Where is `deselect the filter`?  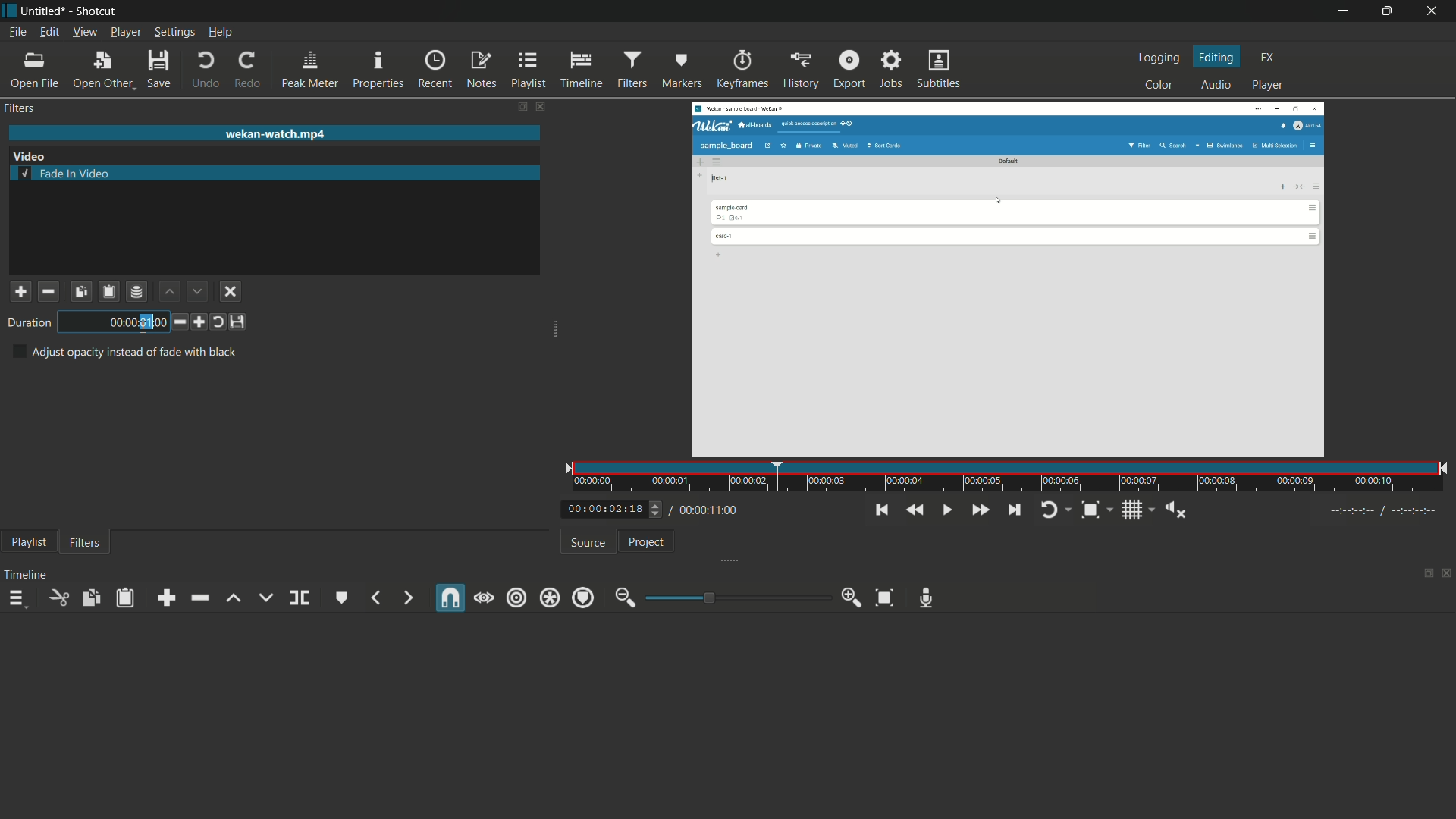
deselect the filter is located at coordinates (231, 292).